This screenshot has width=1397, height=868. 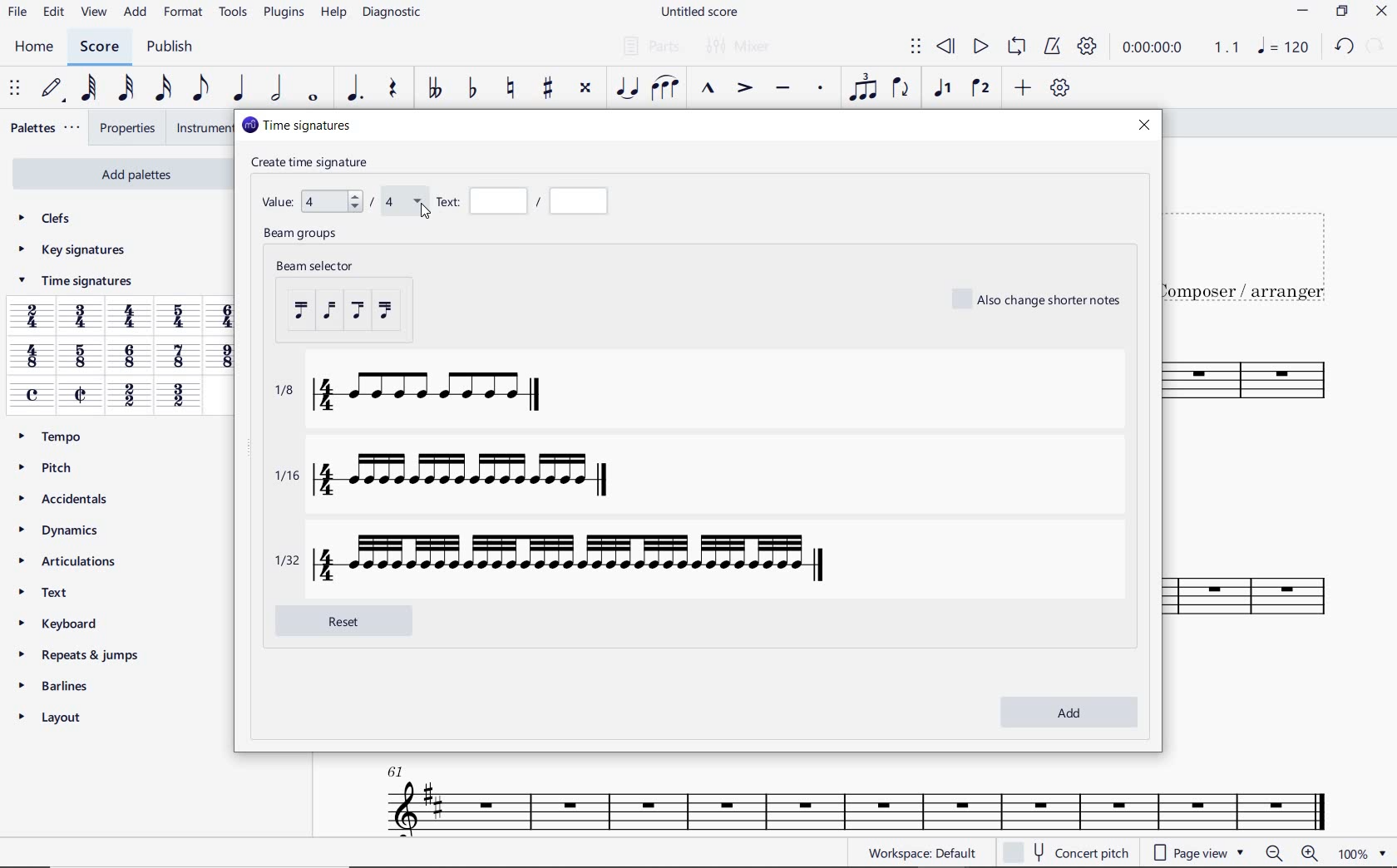 What do you see at coordinates (62, 530) in the screenshot?
I see `DYNAMICS` at bounding box center [62, 530].